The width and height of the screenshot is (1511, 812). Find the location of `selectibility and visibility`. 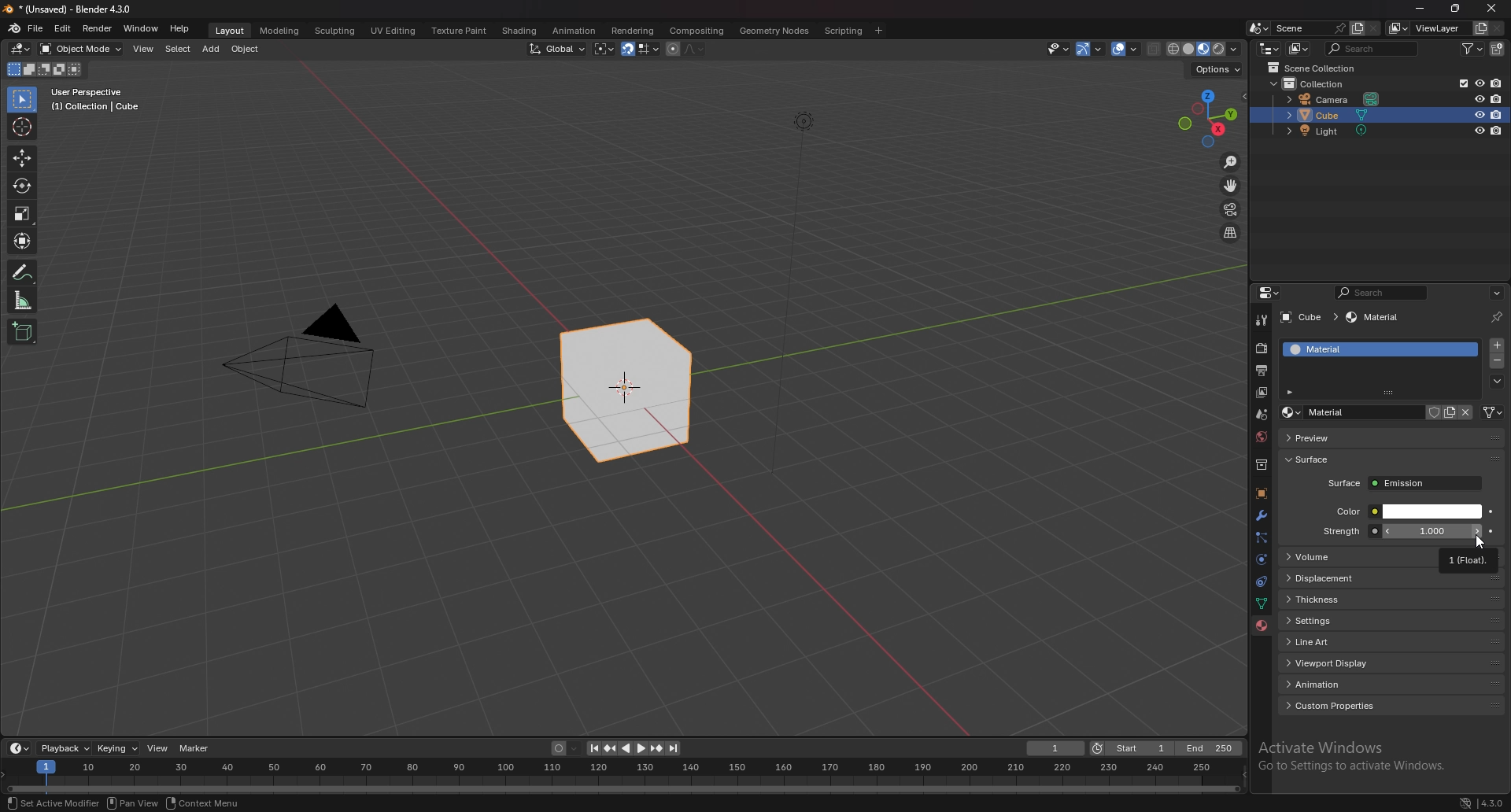

selectibility and visibility is located at coordinates (1059, 49).